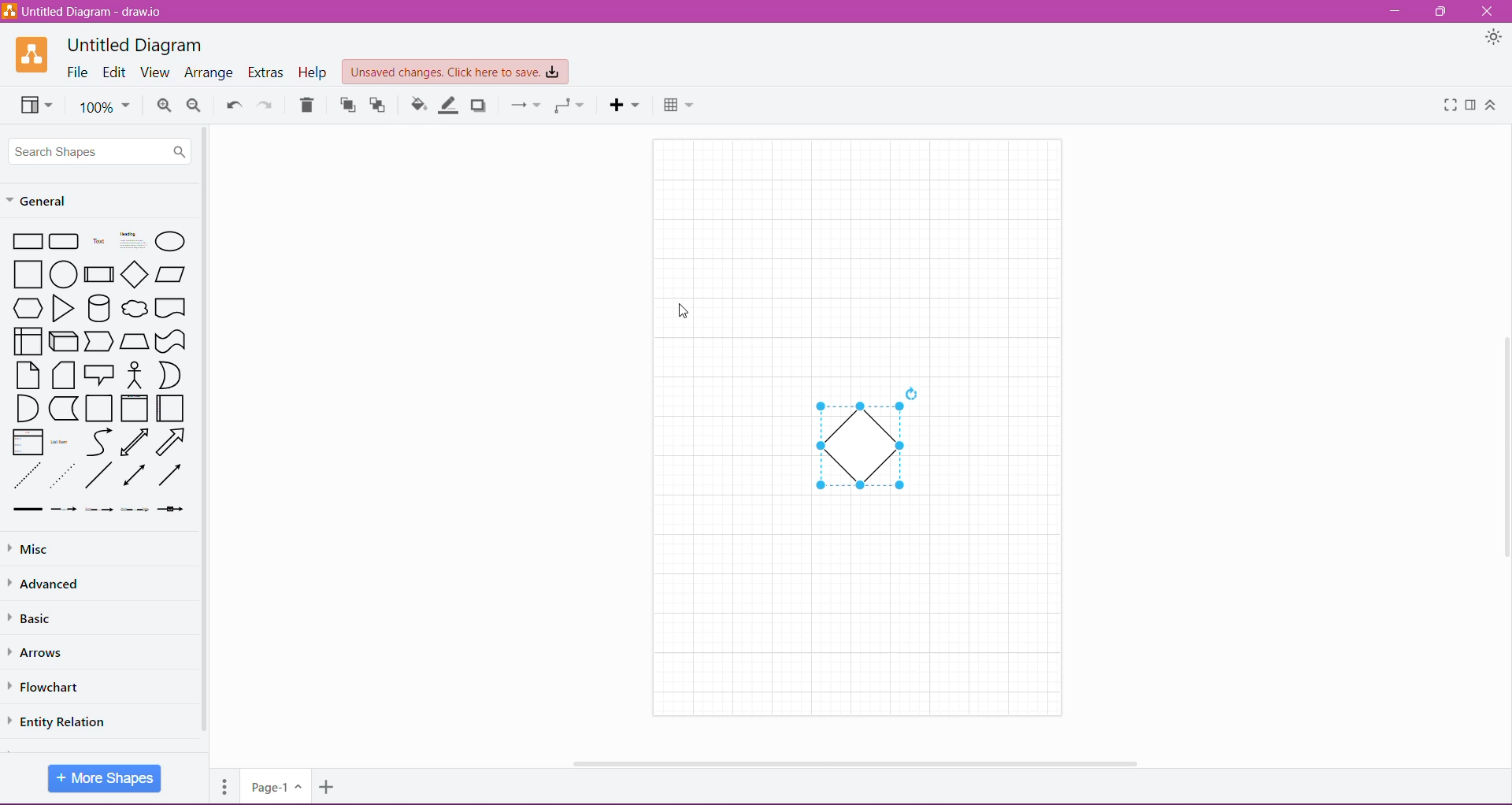 Image resolution: width=1512 pixels, height=805 pixels. What do you see at coordinates (36, 105) in the screenshot?
I see `View` at bounding box center [36, 105].